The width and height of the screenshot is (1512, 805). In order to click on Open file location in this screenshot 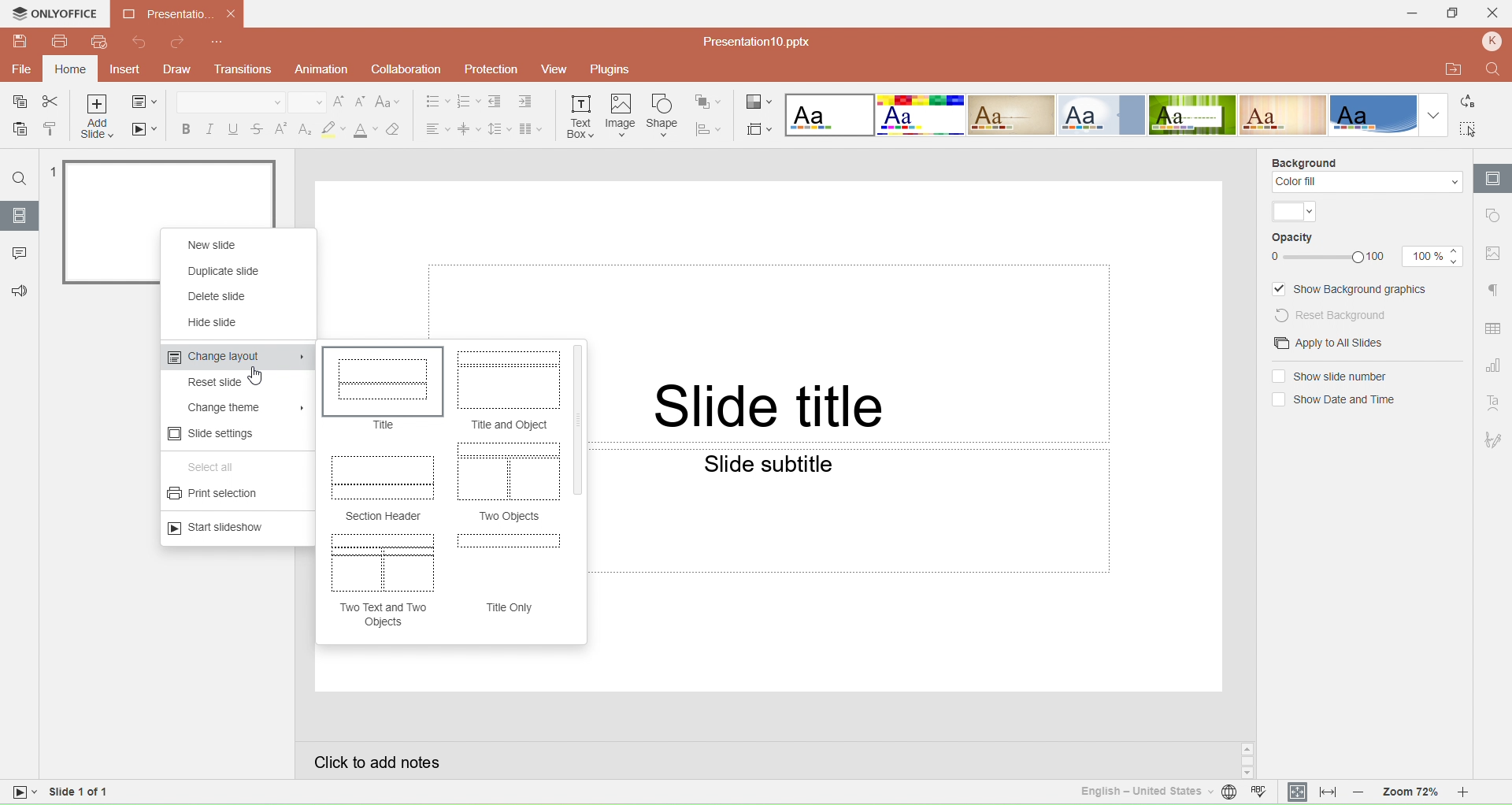, I will do `click(1448, 69)`.